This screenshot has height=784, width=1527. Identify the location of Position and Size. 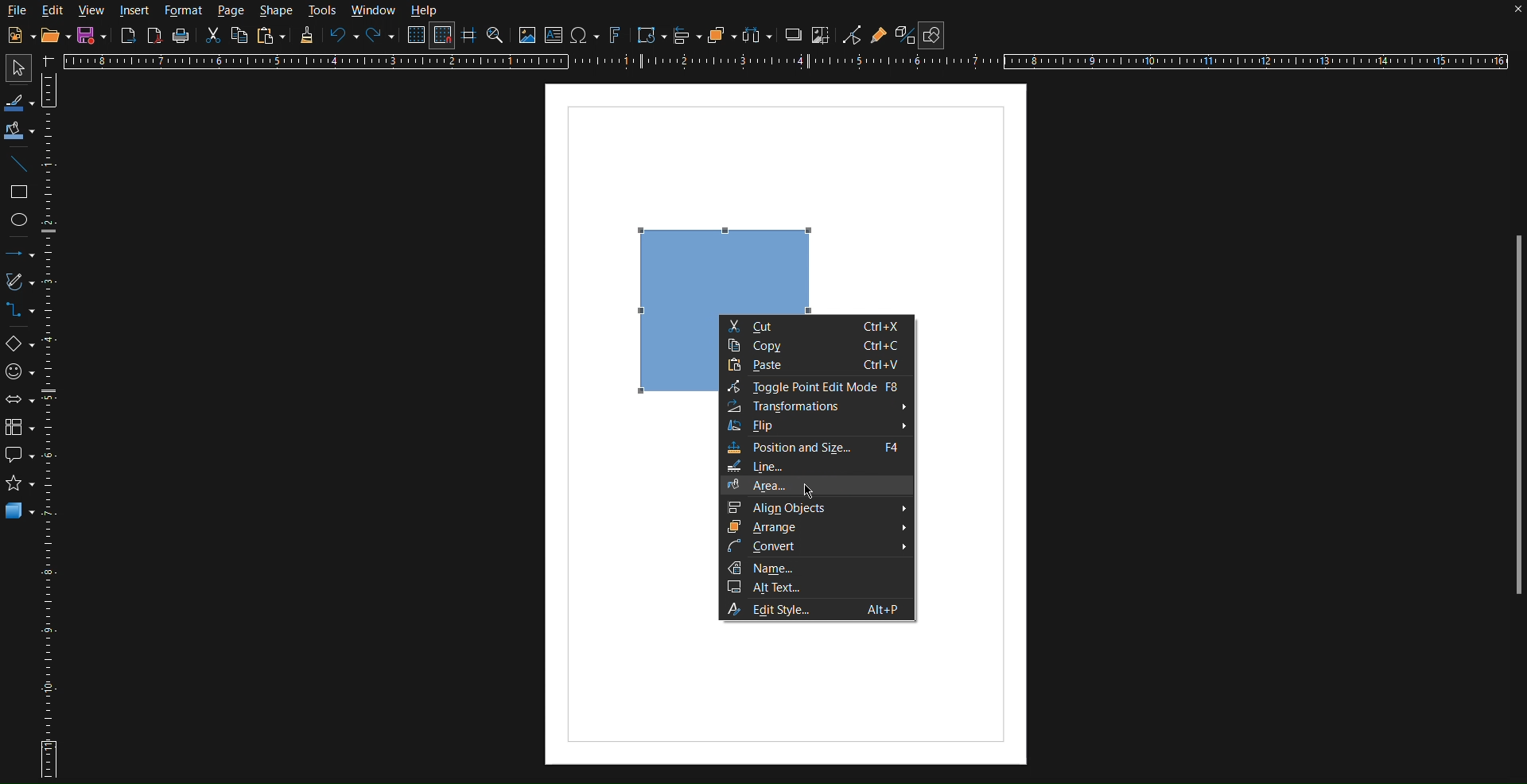
(815, 448).